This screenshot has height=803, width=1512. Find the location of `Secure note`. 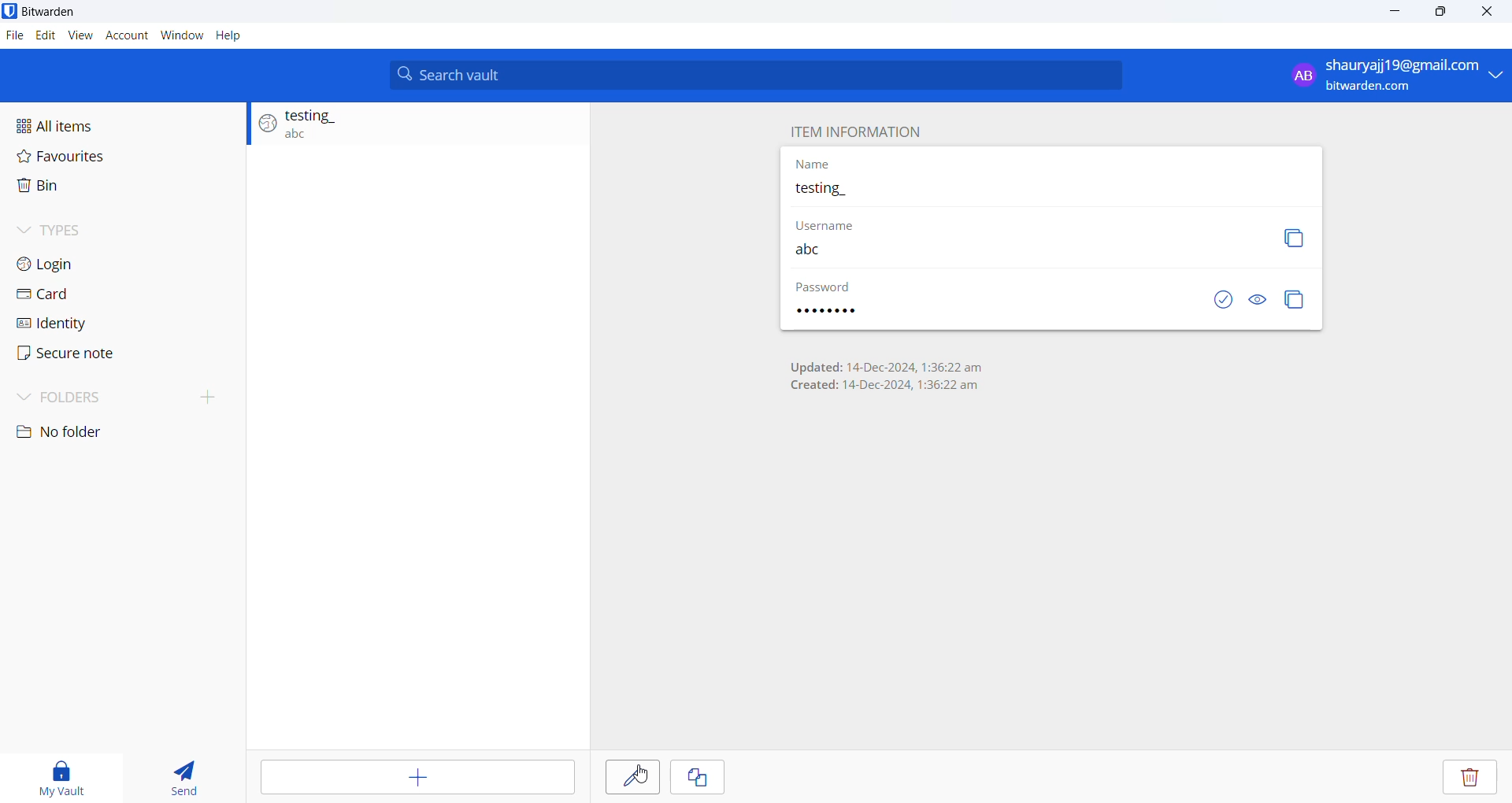

Secure note is located at coordinates (79, 354).